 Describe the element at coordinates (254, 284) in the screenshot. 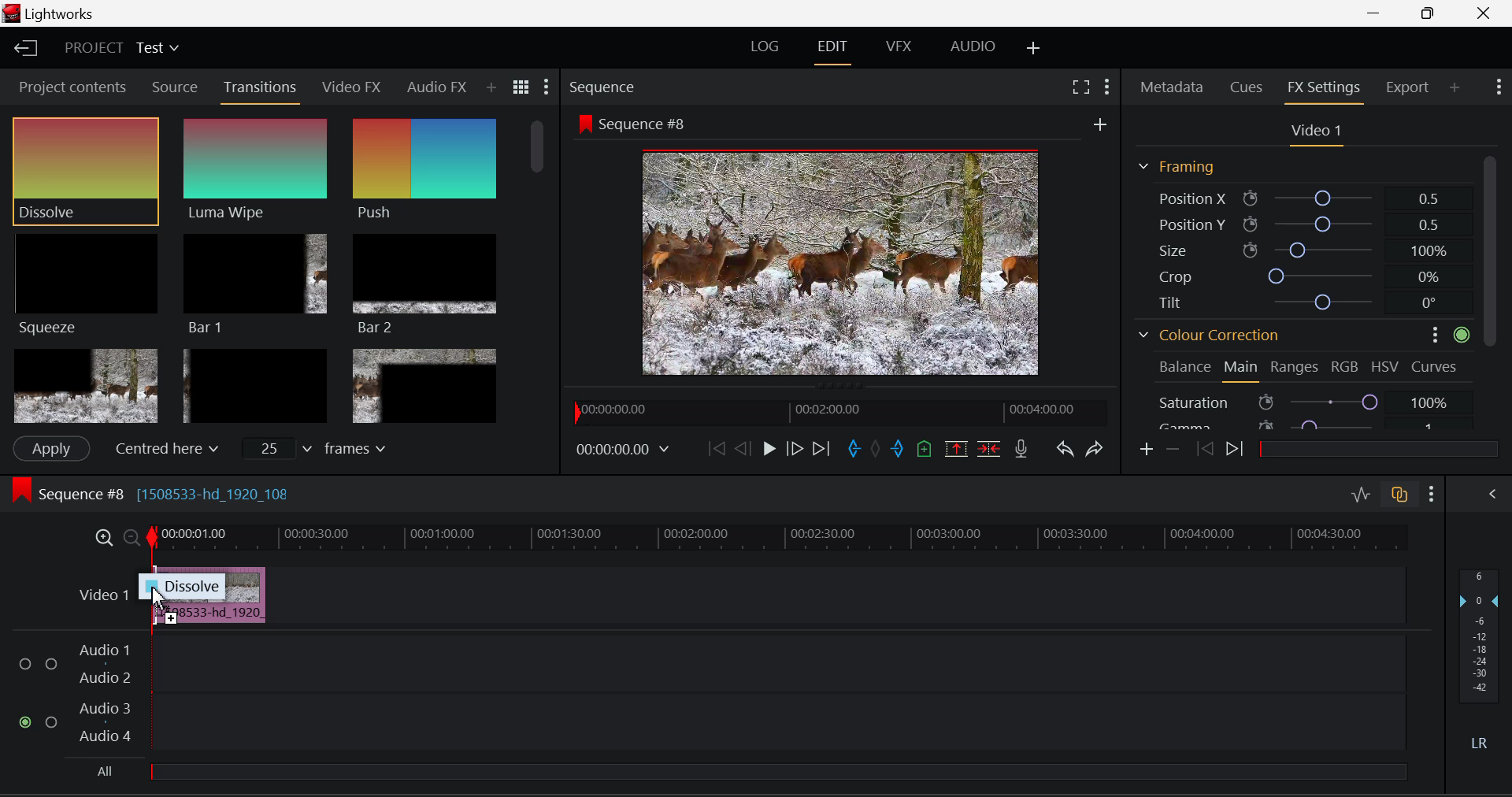

I see `Bar 1` at that location.